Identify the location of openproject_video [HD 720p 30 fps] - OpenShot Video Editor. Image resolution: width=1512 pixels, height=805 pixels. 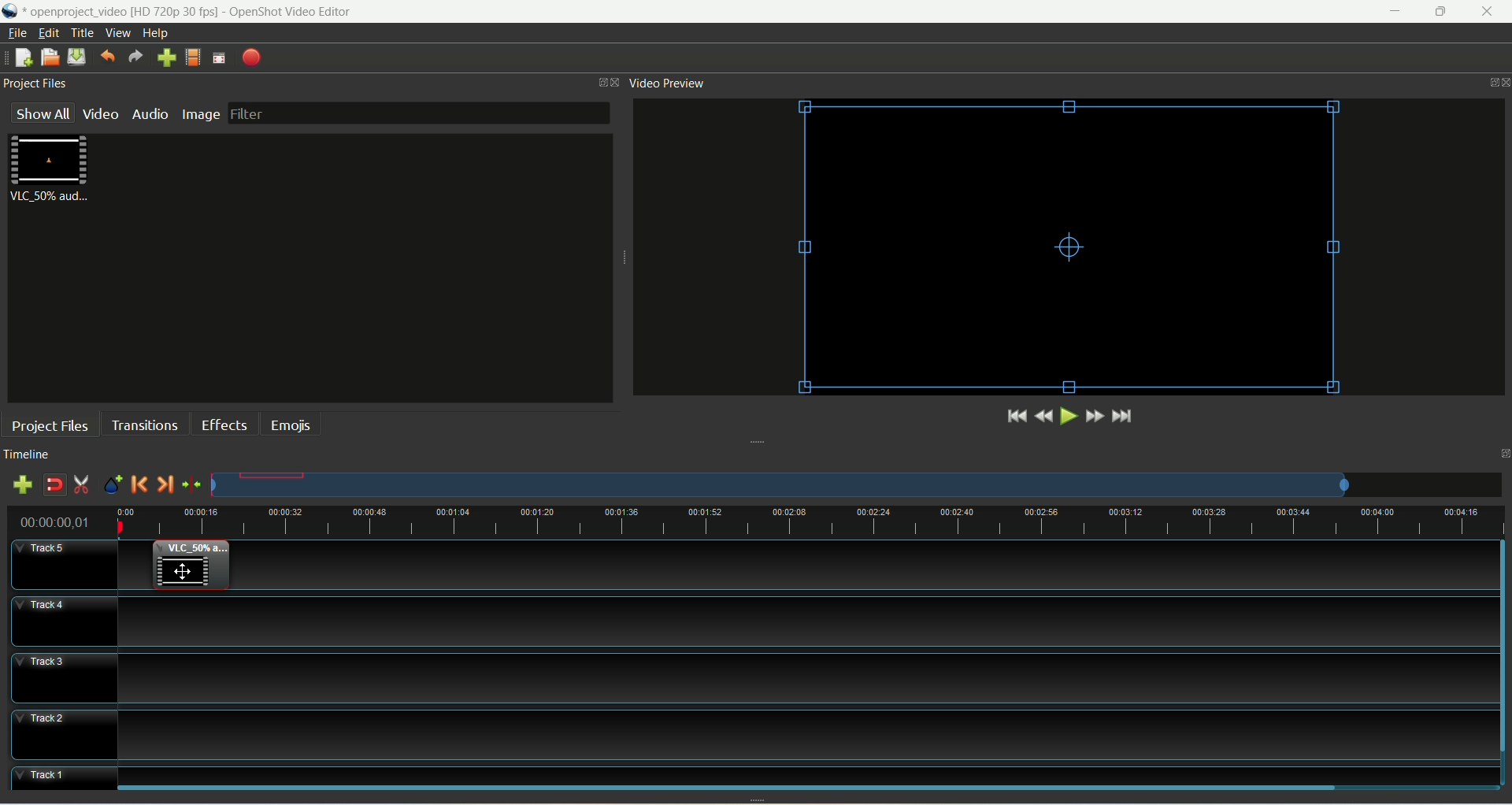
(210, 10).